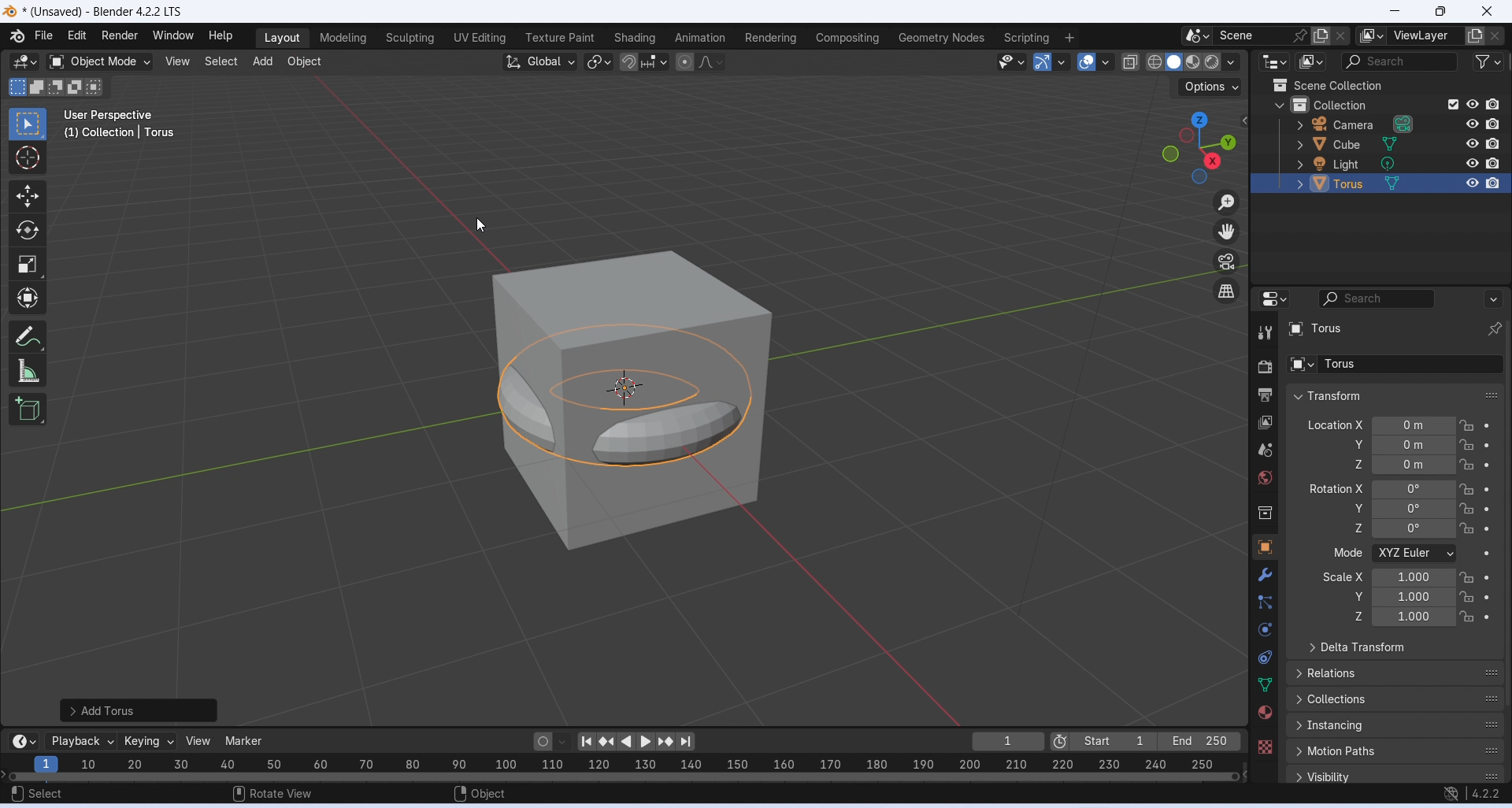 This screenshot has height=808, width=1512. I want to click on Rotation Z, so click(1433, 529).